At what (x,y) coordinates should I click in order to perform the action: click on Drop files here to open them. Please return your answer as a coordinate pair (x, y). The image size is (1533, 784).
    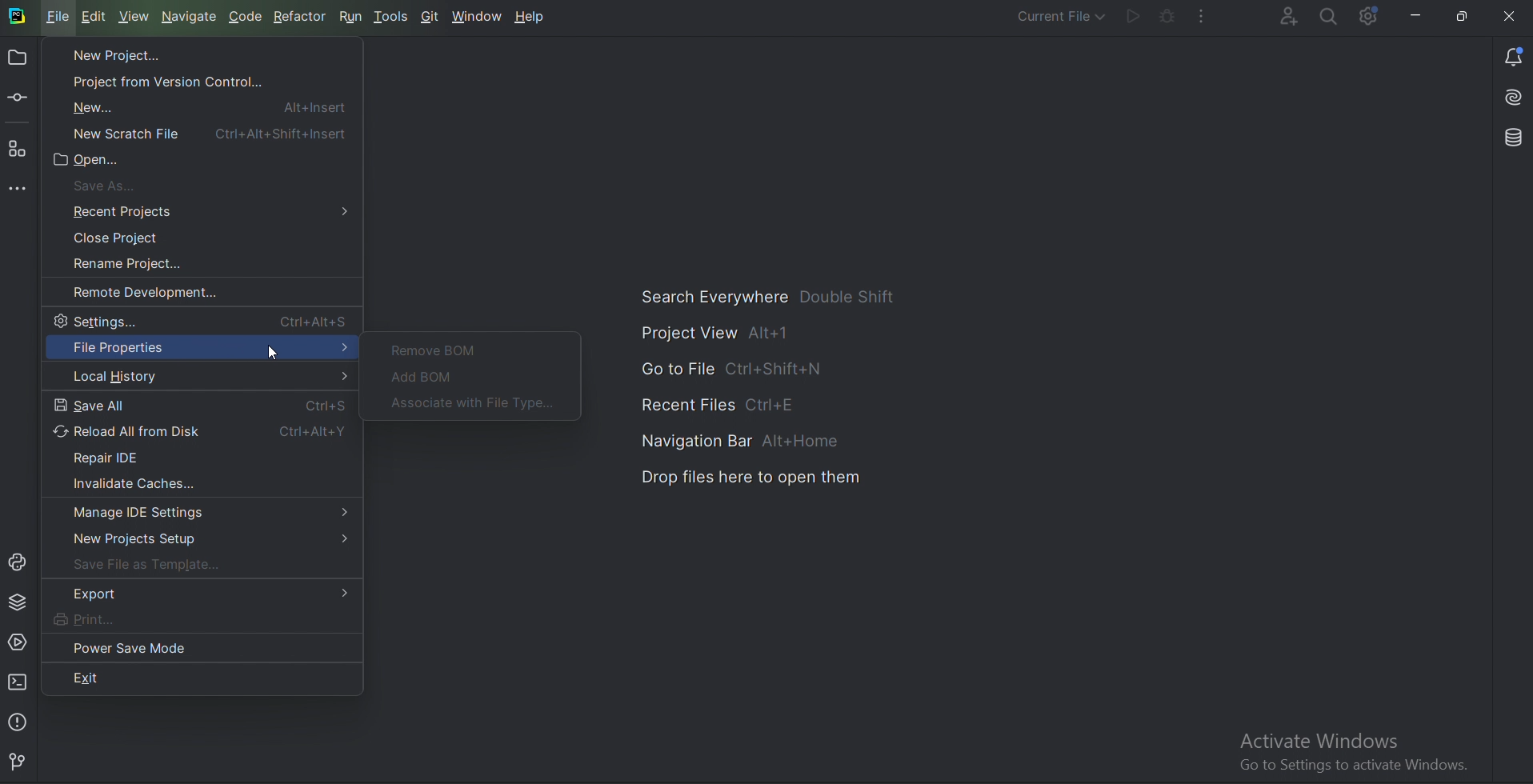
    Looking at the image, I should click on (755, 477).